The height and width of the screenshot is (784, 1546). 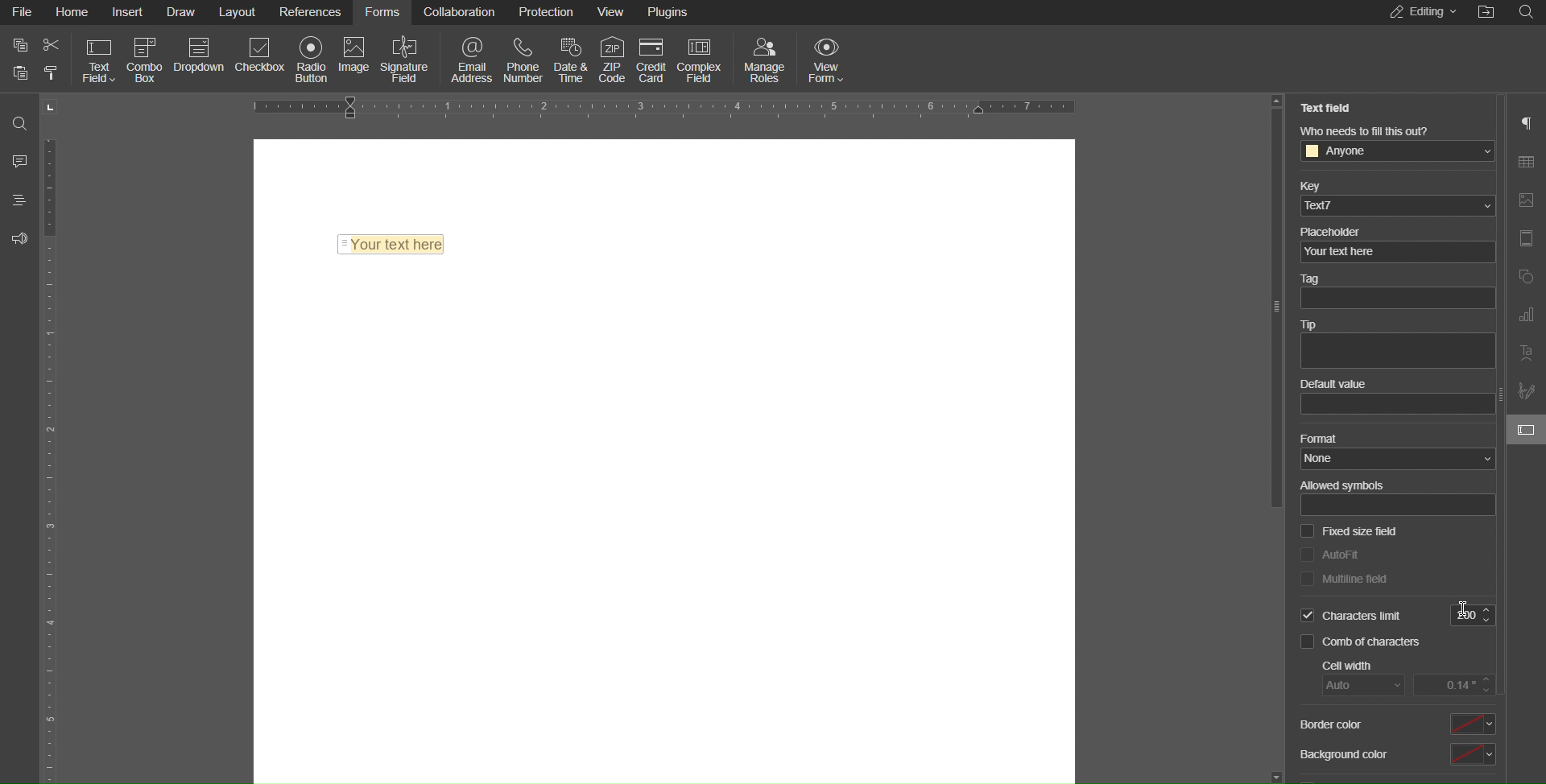 I want to click on Tip, so click(x=1396, y=345).